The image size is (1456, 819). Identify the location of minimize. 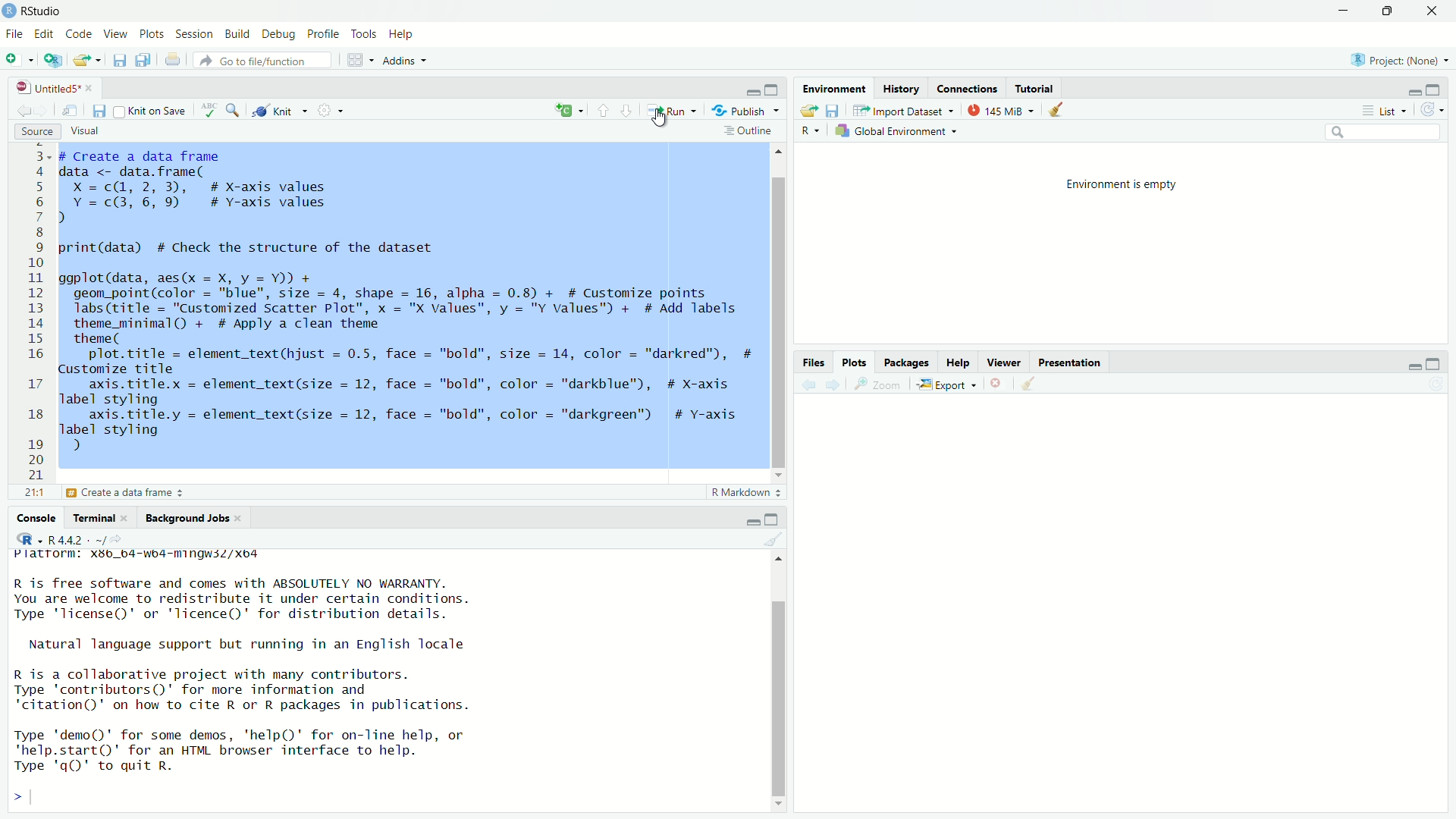
(1412, 366).